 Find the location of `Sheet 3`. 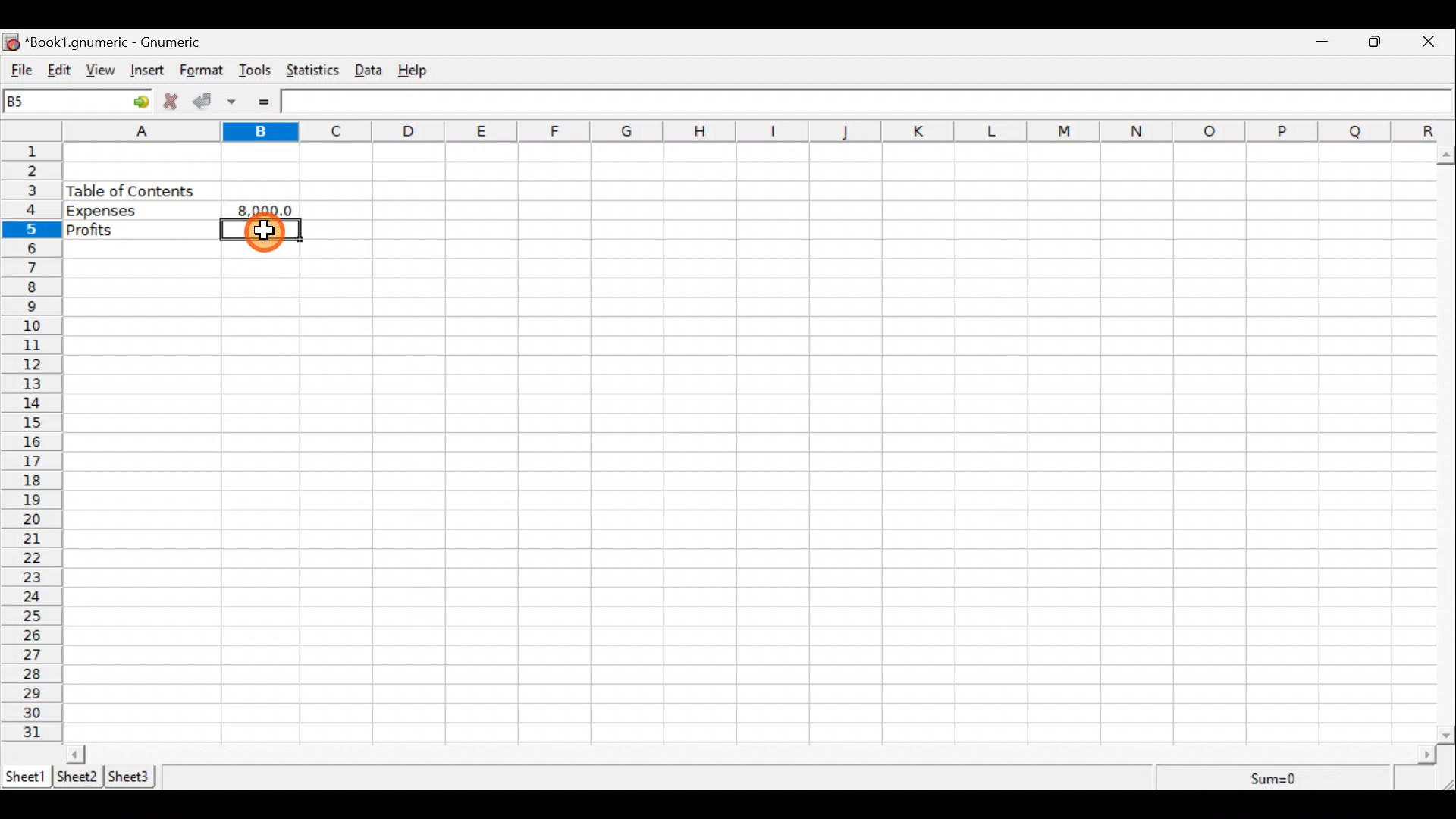

Sheet 3 is located at coordinates (135, 777).